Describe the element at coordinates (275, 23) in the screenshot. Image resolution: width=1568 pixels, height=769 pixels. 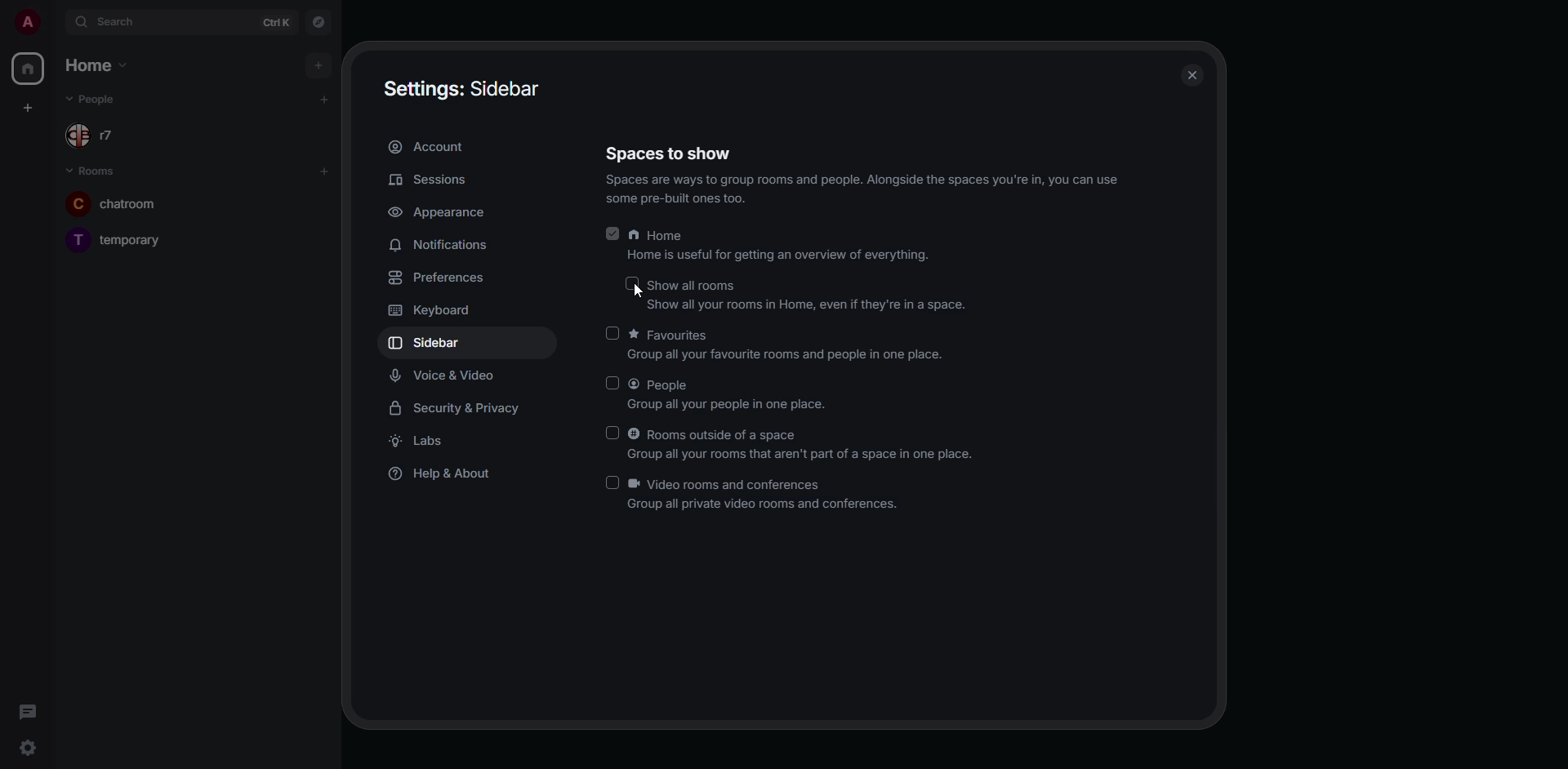
I see `ctrl K` at that location.